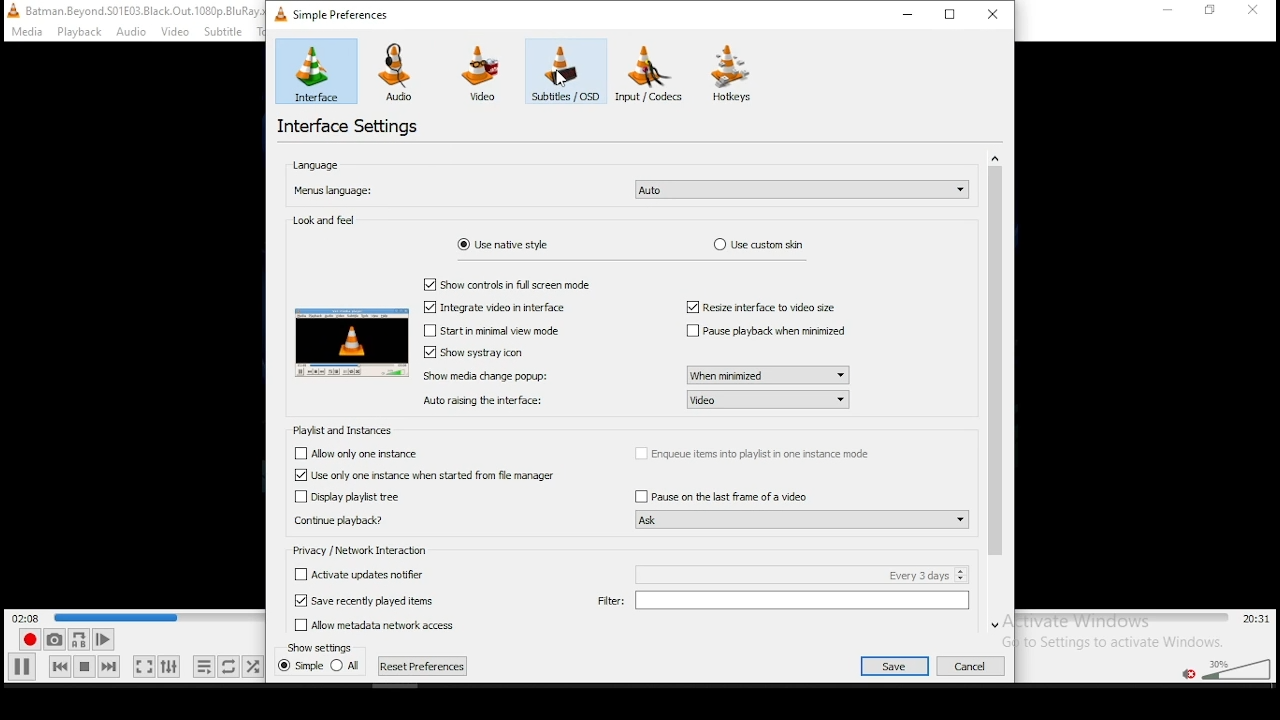 The height and width of the screenshot is (720, 1280). Describe the element at coordinates (497, 306) in the screenshot. I see `` at that location.